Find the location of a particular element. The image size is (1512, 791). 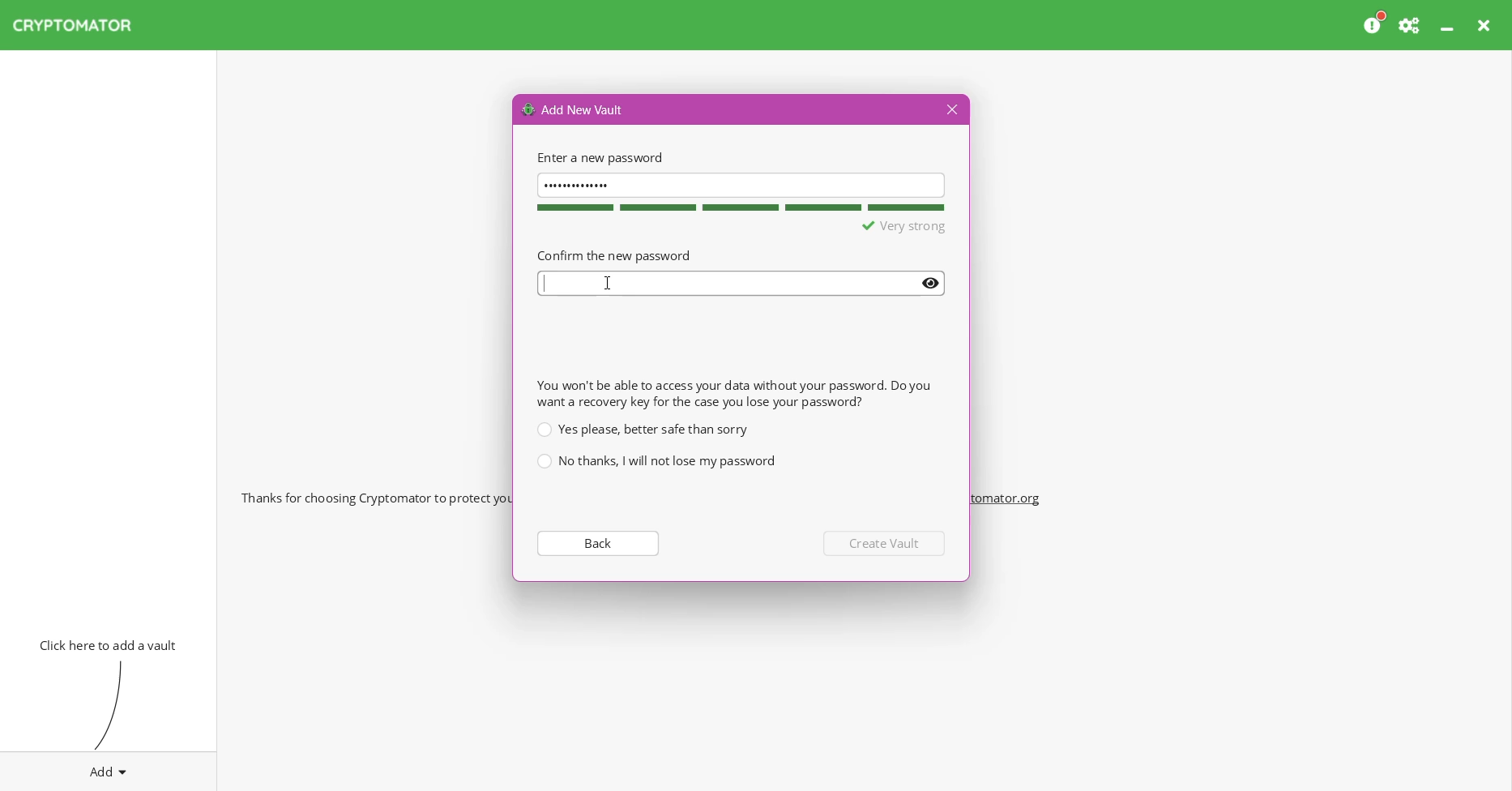

Add New Vault is located at coordinates (574, 109).